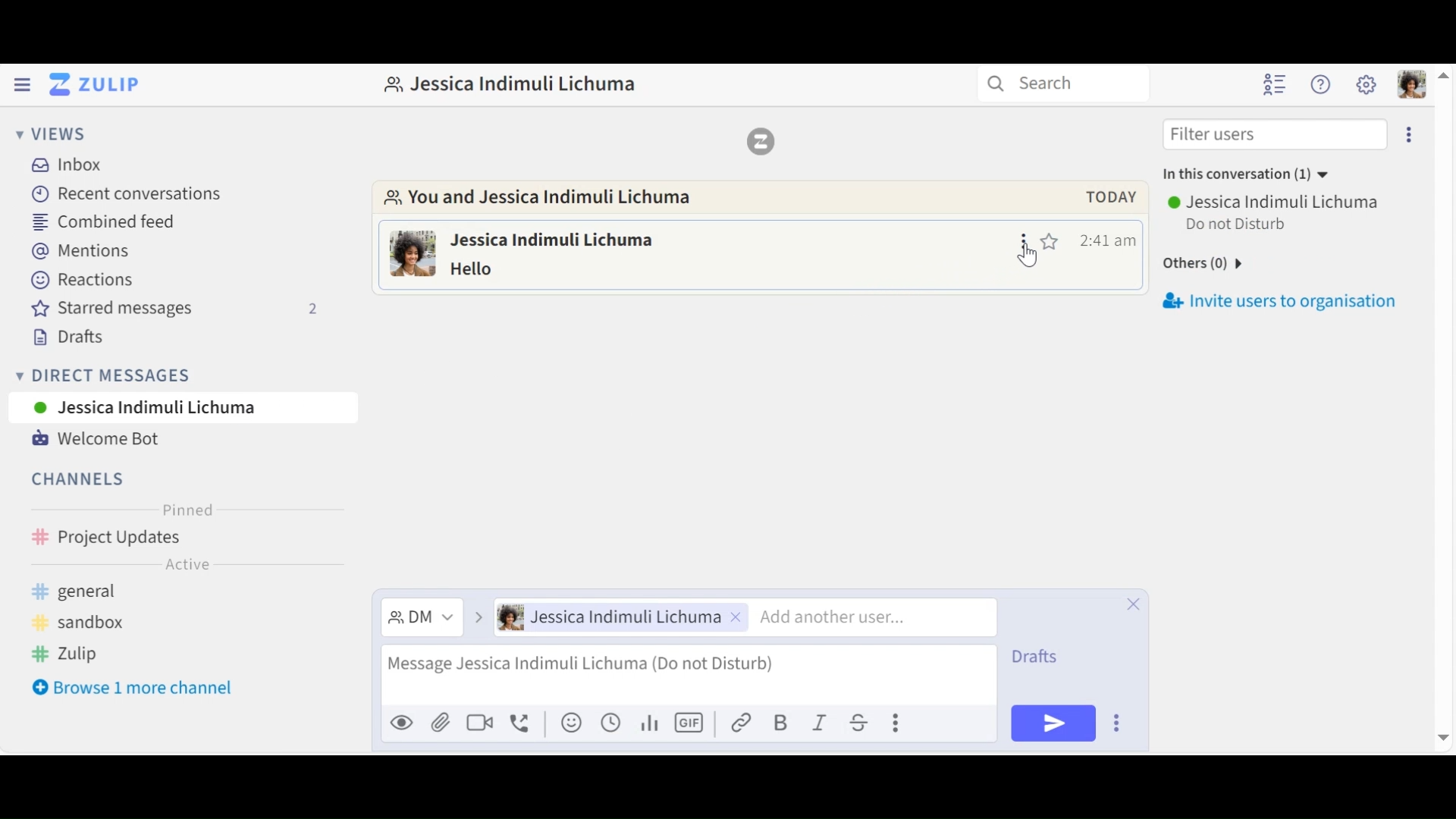 The height and width of the screenshot is (819, 1456). Describe the element at coordinates (86, 623) in the screenshot. I see `sandbox` at that location.